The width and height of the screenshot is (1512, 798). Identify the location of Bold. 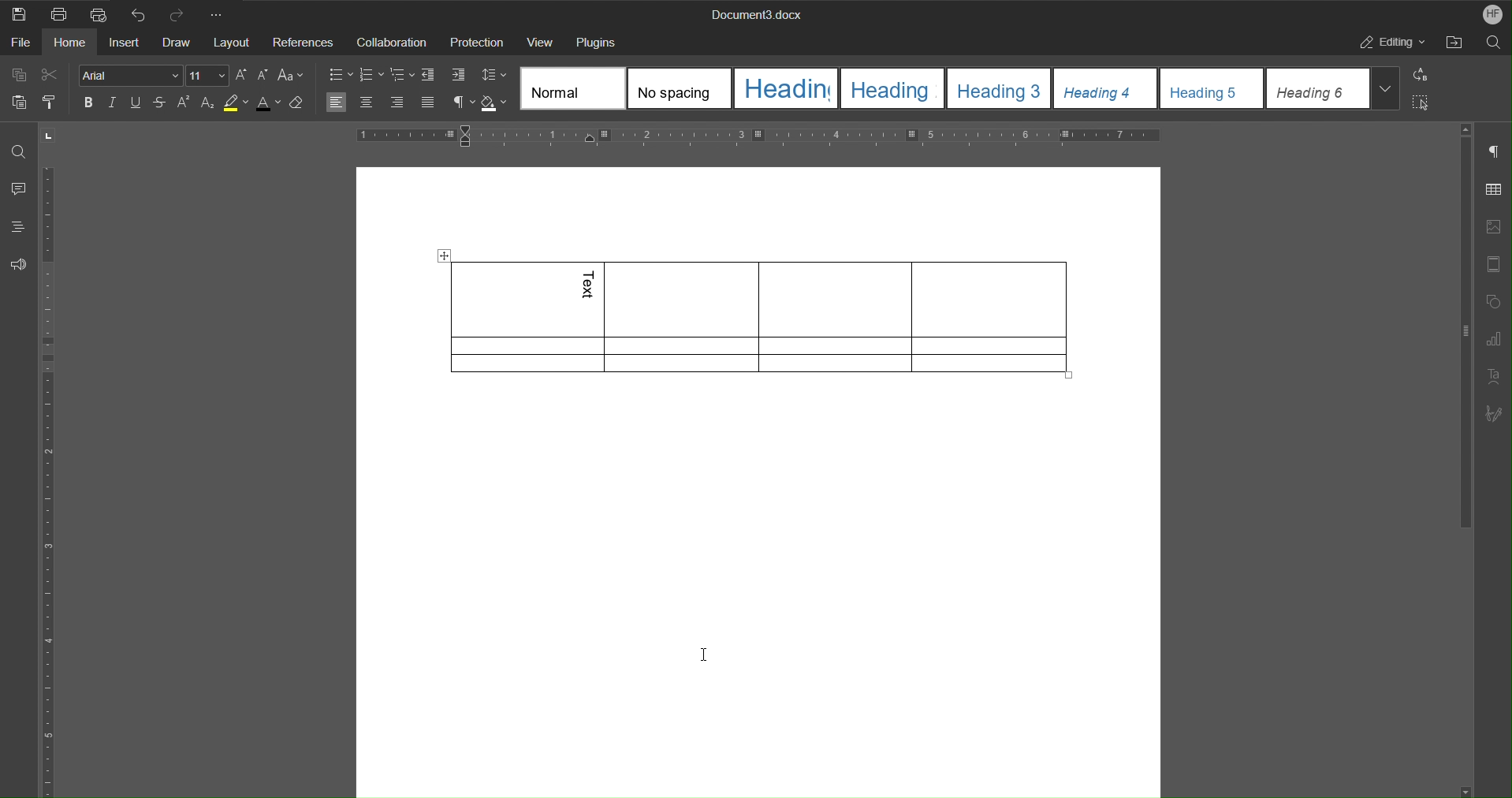
(91, 103).